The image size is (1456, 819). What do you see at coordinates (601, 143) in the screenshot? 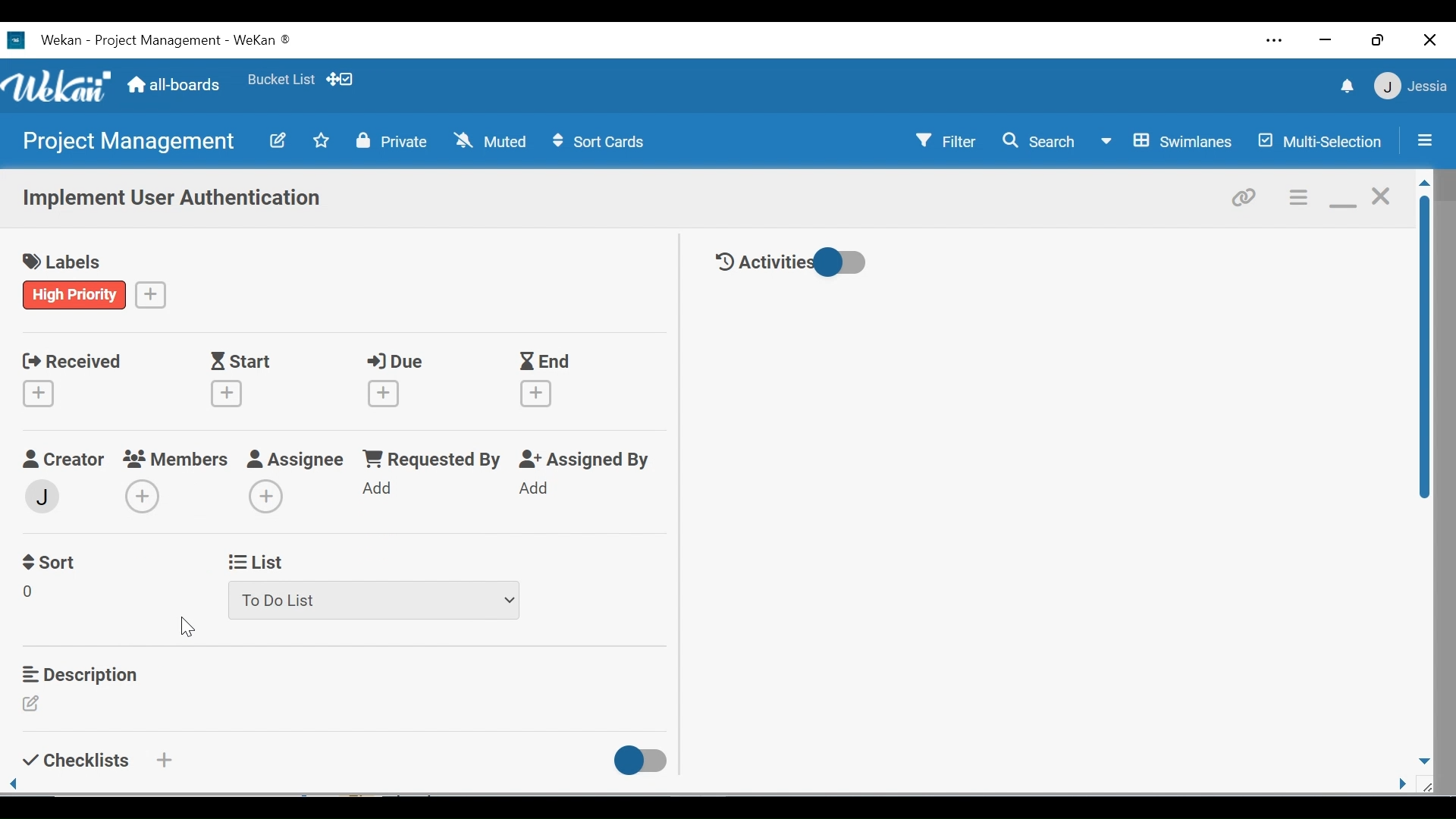
I see ` Sort Cards` at bounding box center [601, 143].